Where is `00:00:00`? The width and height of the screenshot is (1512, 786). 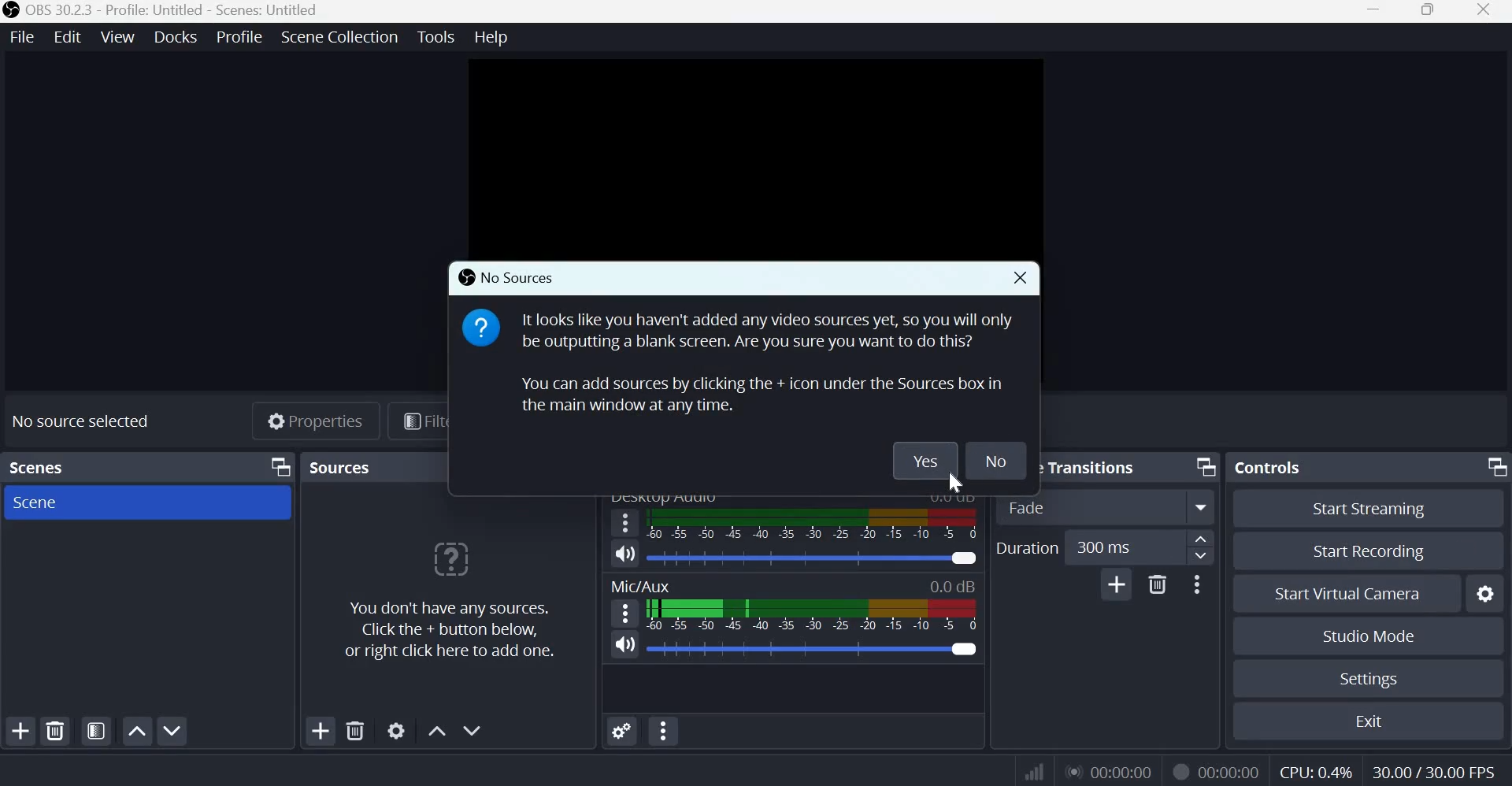
00:00:00 is located at coordinates (1231, 769).